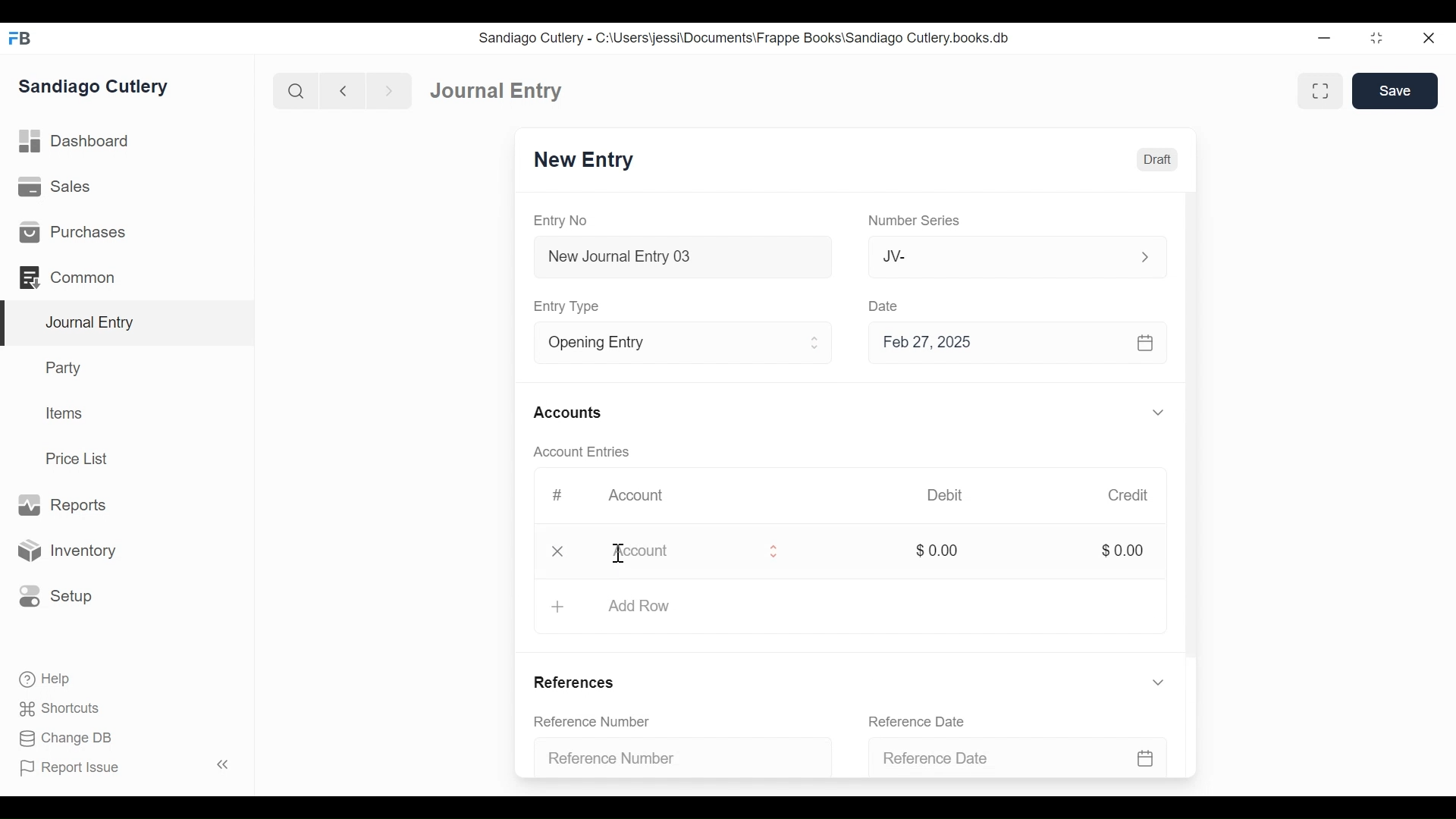 Image resolution: width=1456 pixels, height=819 pixels. I want to click on Dashboard, so click(75, 142).